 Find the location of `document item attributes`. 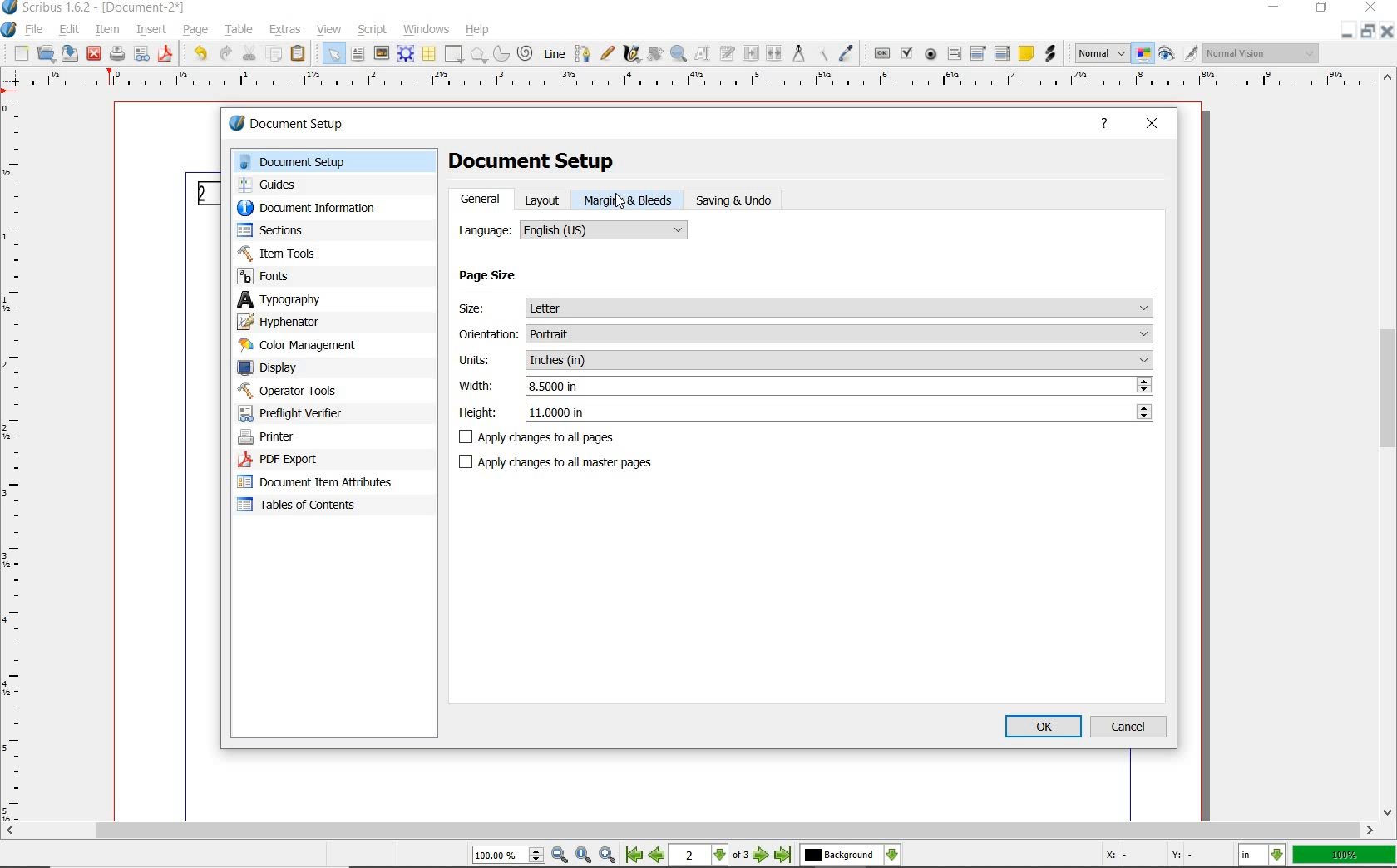

document item attributes is located at coordinates (316, 483).